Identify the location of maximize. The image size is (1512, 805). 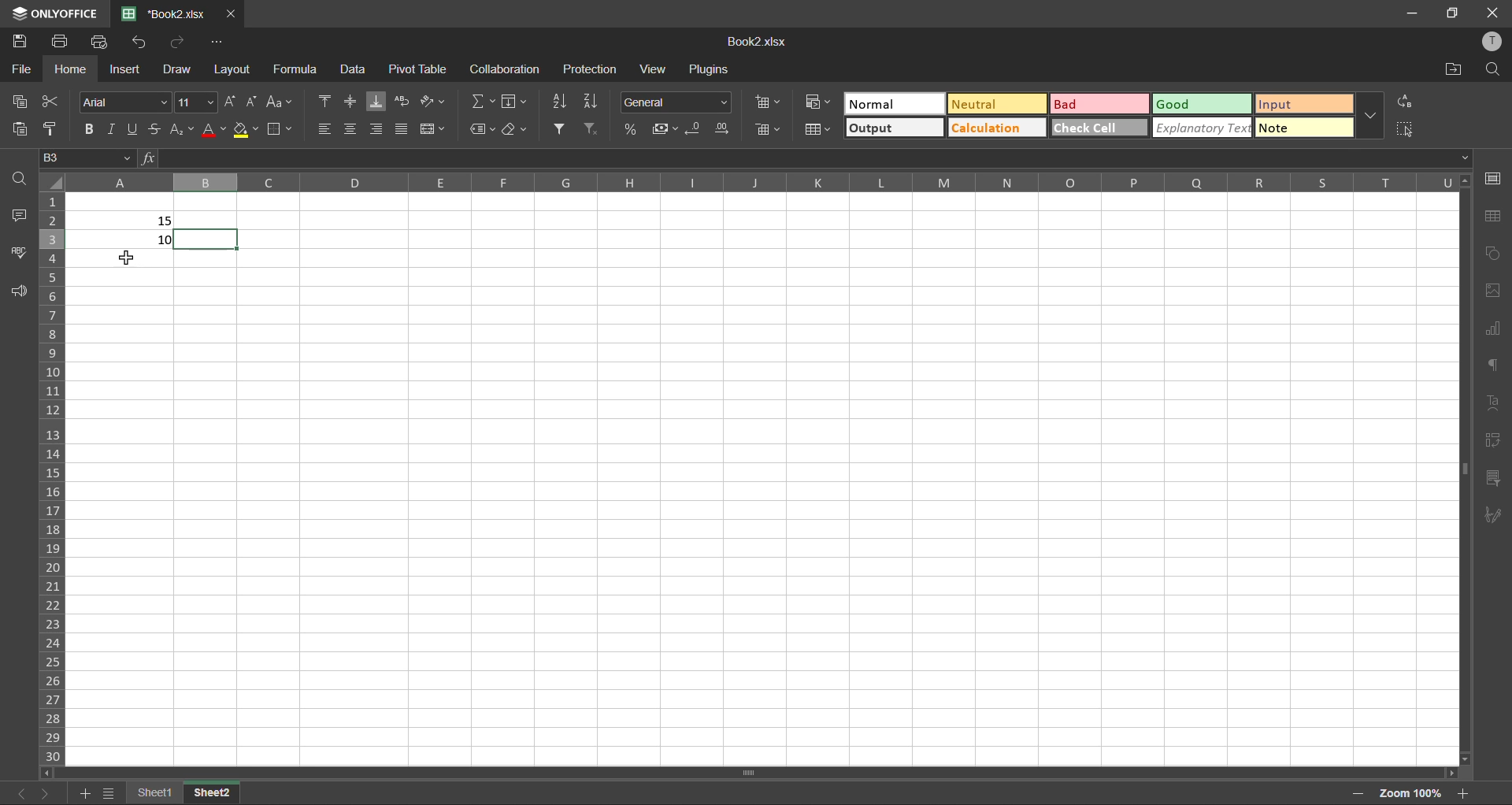
(1452, 13).